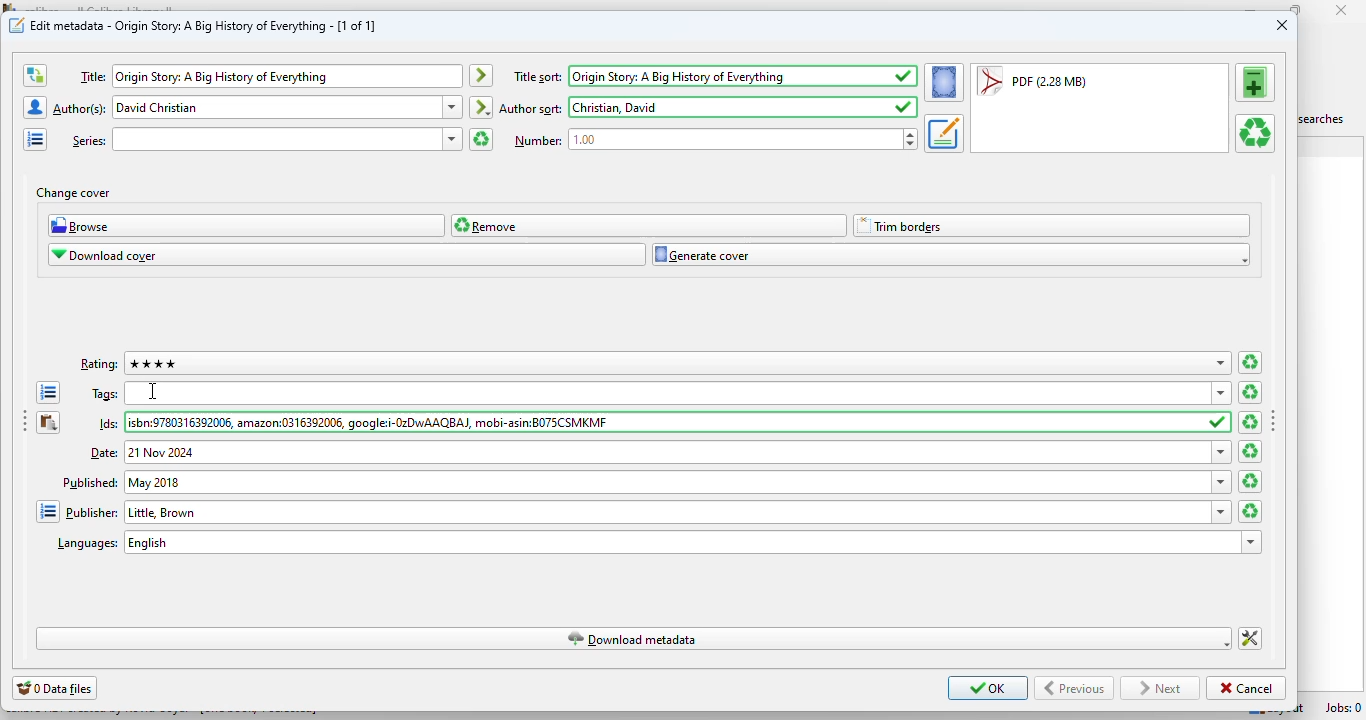 The width and height of the screenshot is (1366, 720). What do you see at coordinates (1250, 511) in the screenshot?
I see `clear publisher` at bounding box center [1250, 511].